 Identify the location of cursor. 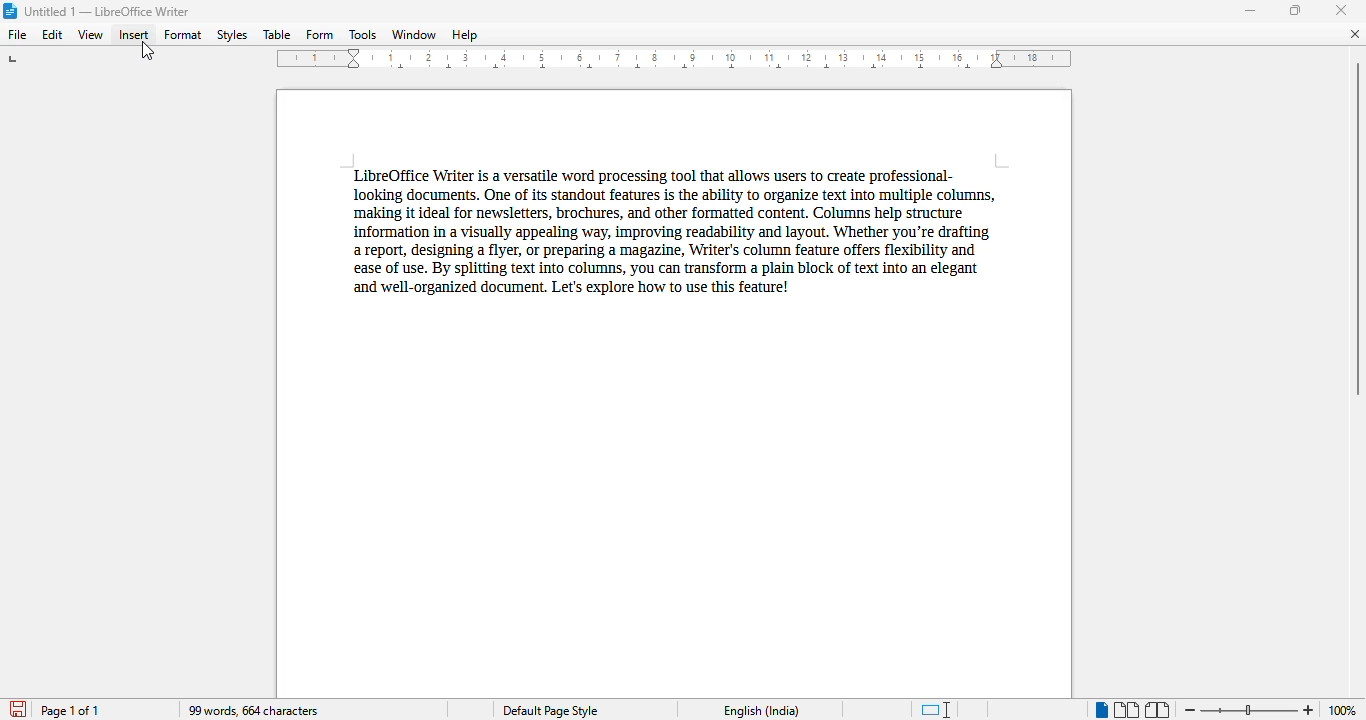
(147, 53).